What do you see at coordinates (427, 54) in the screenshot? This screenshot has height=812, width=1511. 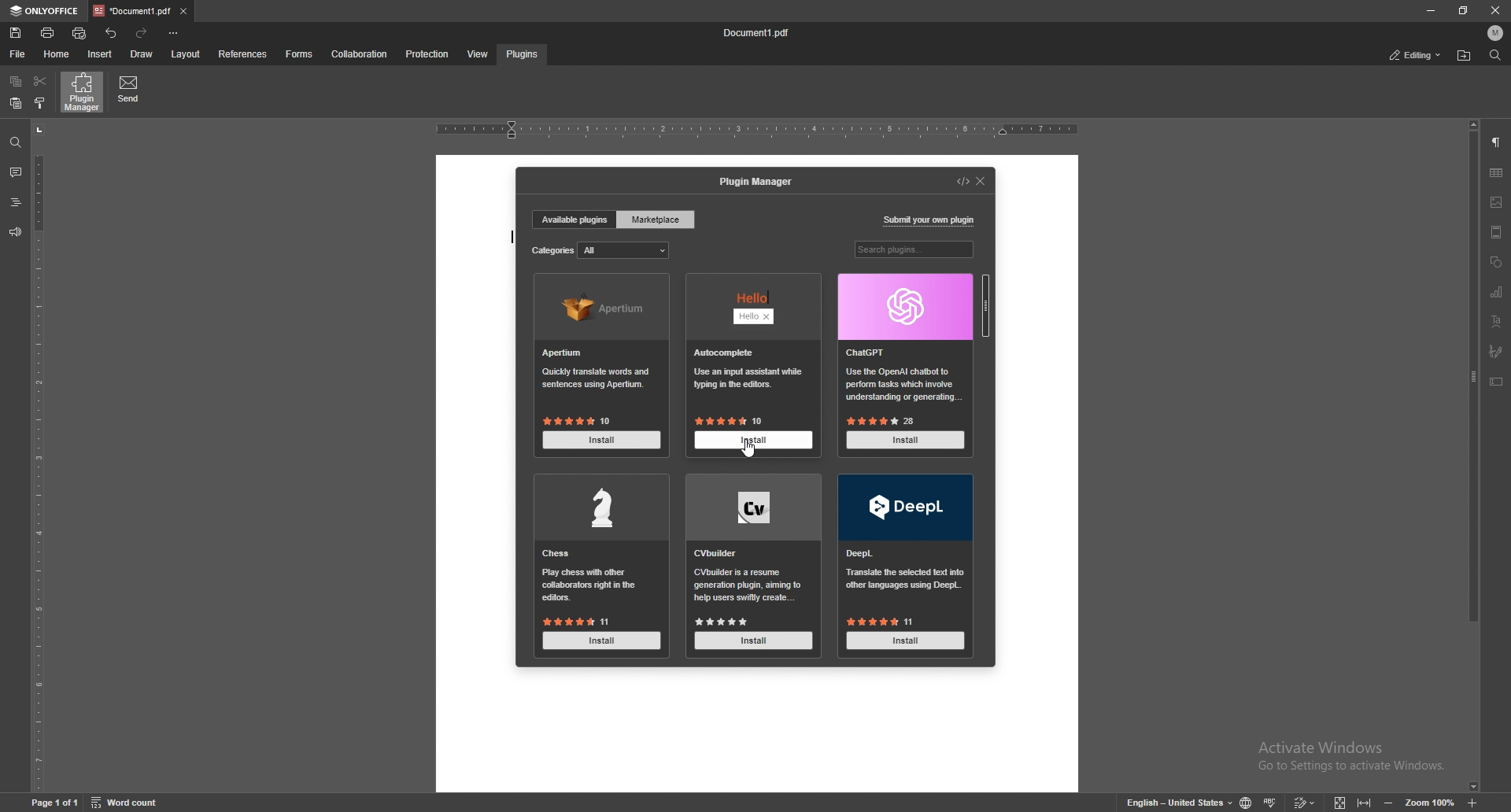 I see `protection` at bounding box center [427, 54].